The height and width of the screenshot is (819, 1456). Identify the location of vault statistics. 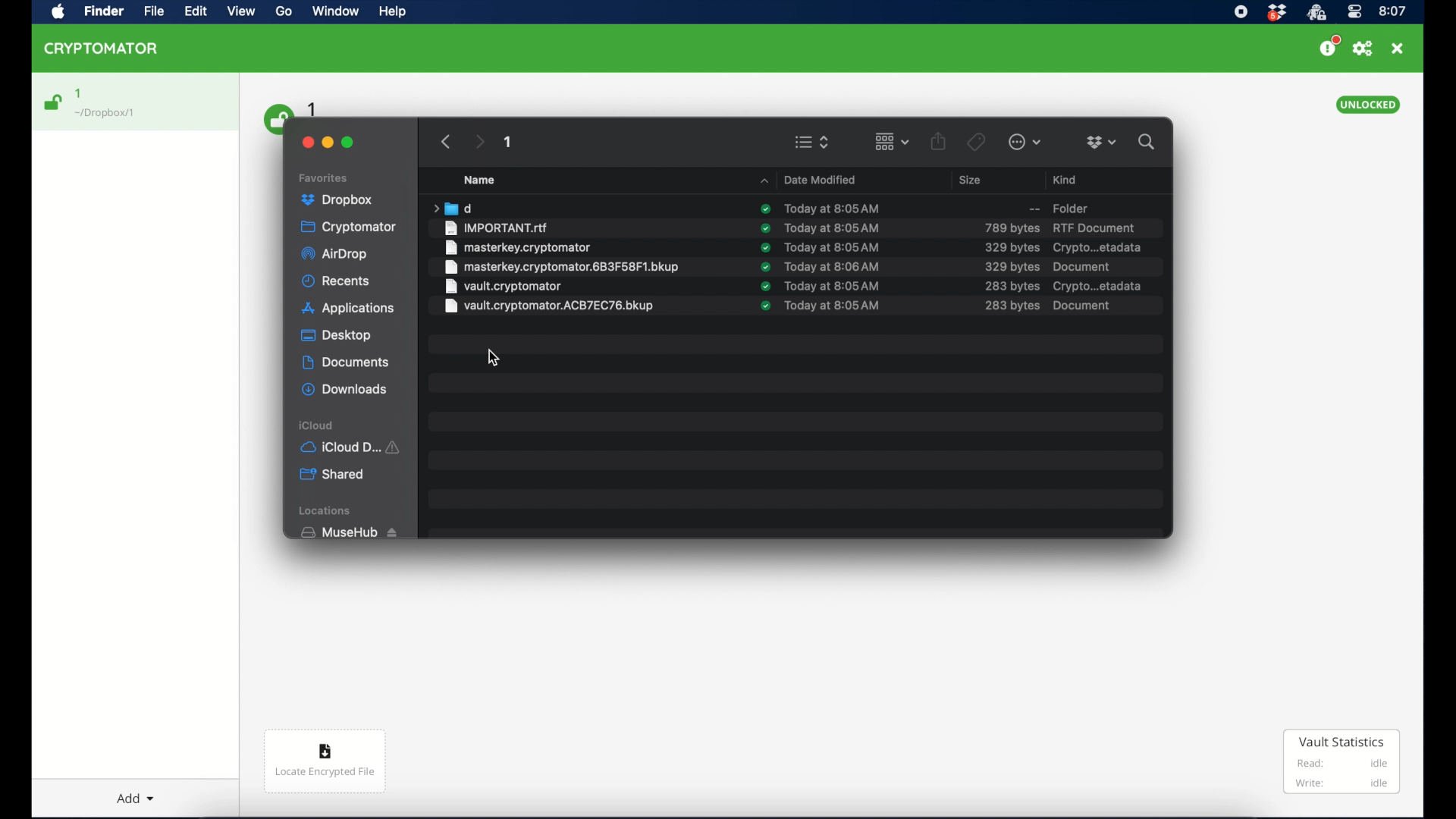
(1341, 763).